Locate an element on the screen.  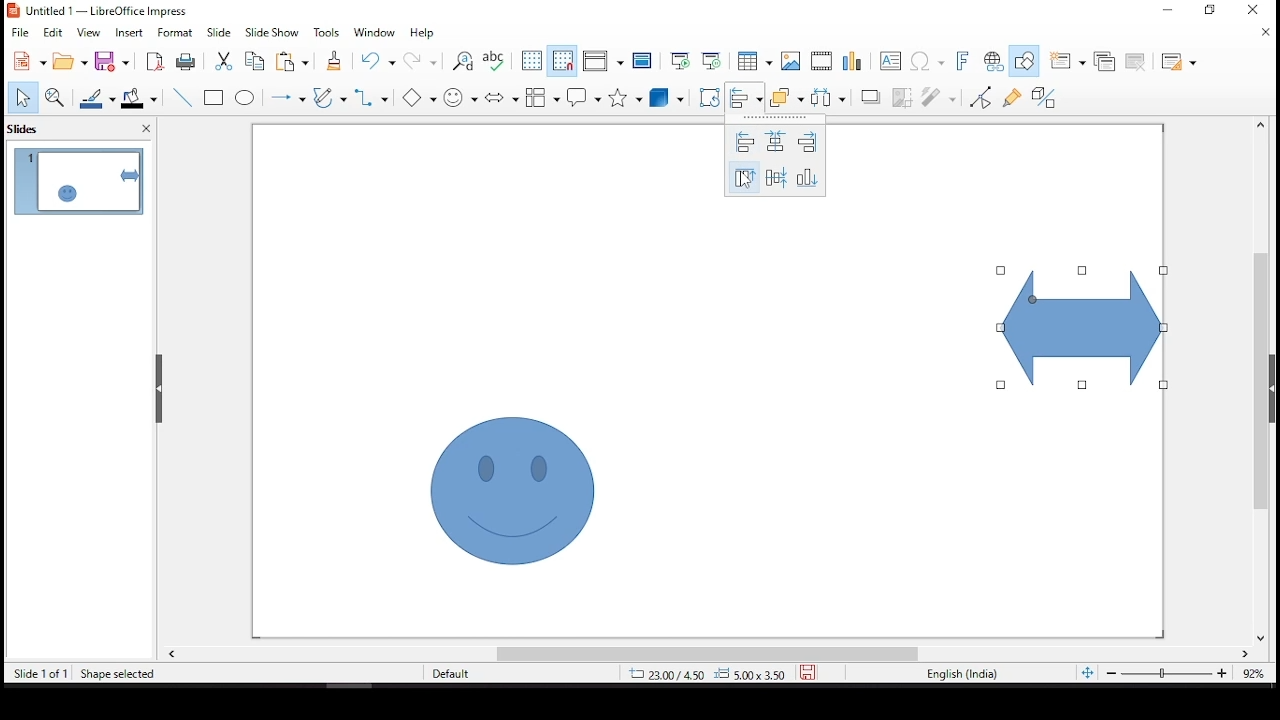
distribute is located at coordinates (824, 96).